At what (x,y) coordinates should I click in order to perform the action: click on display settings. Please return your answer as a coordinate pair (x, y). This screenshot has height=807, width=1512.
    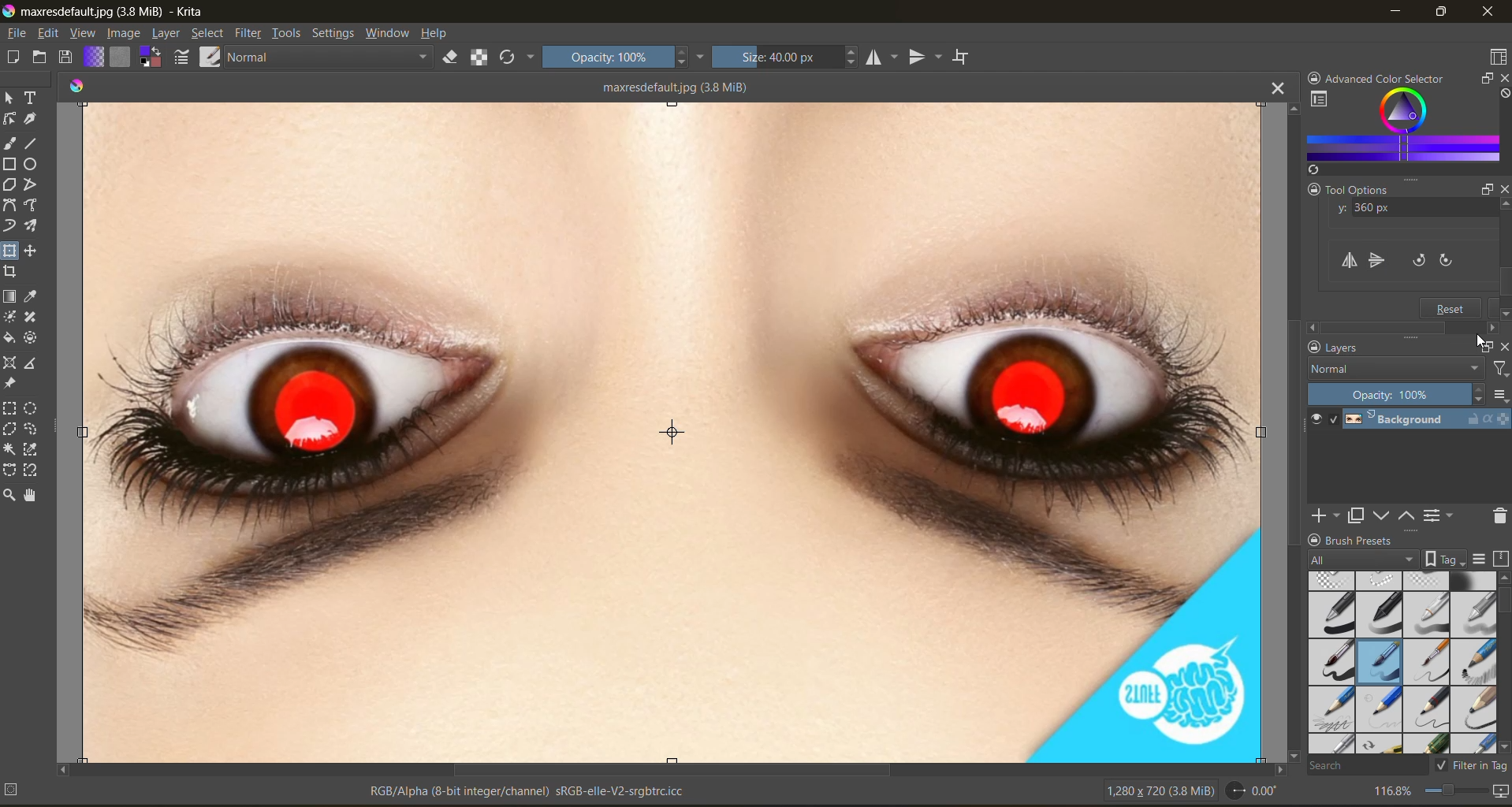
    Looking at the image, I should click on (1484, 558).